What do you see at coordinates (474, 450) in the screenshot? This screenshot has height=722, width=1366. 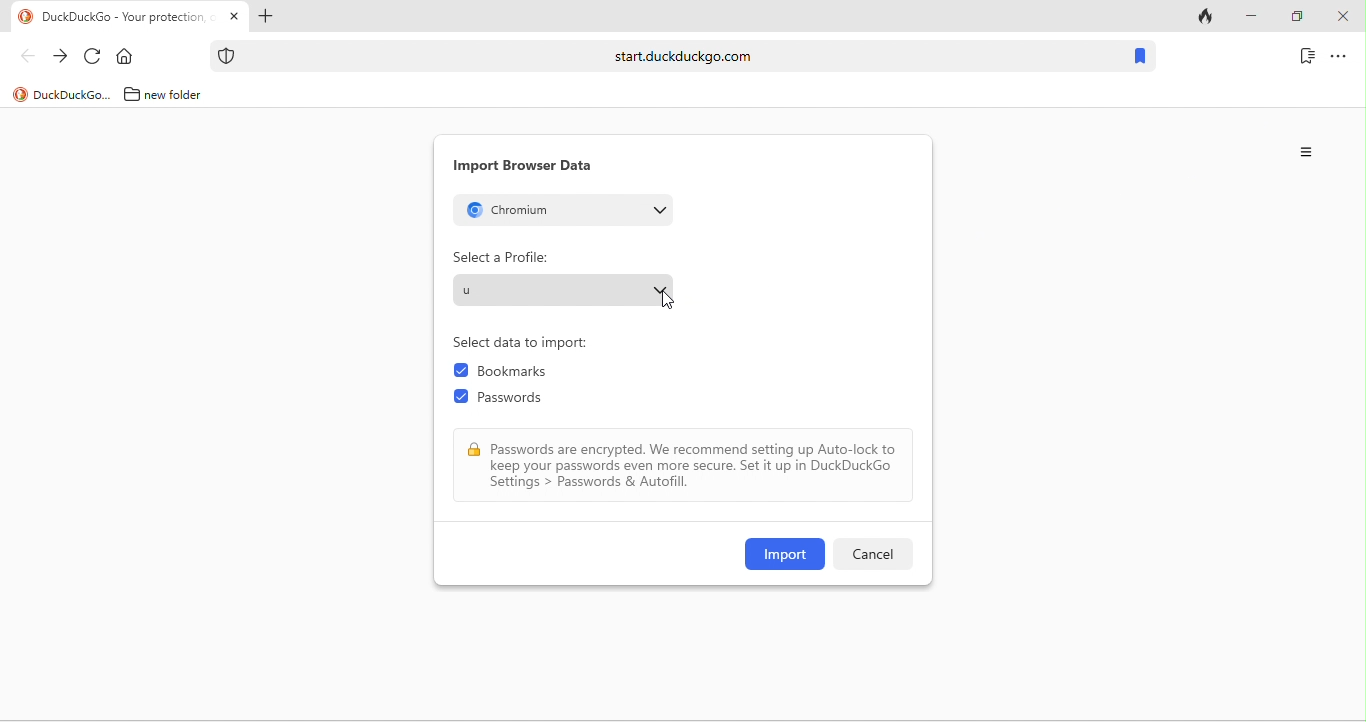 I see `Lock icon` at bounding box center [474, 450].